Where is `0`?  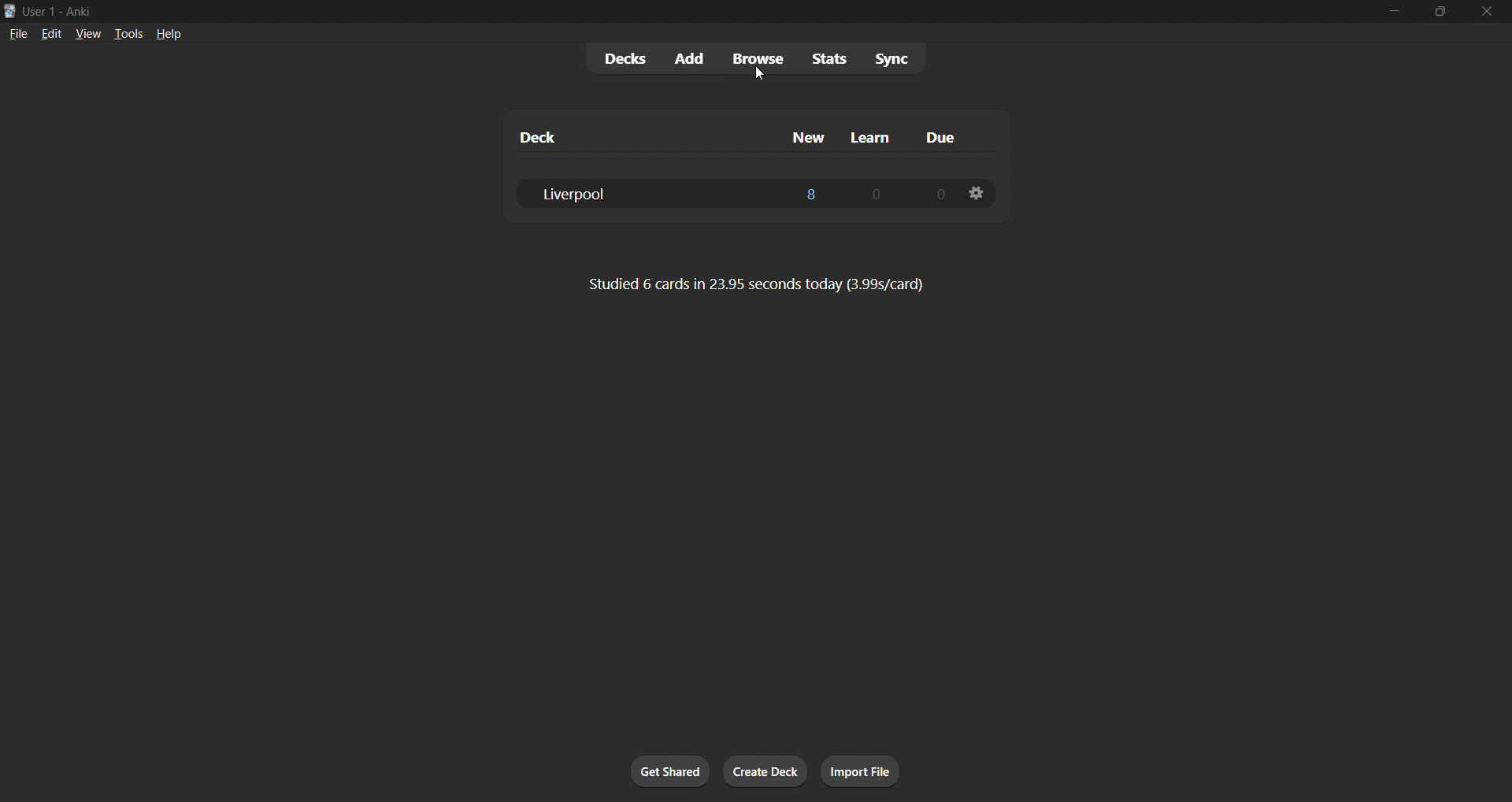 0 is located at coordinates (873, 194).